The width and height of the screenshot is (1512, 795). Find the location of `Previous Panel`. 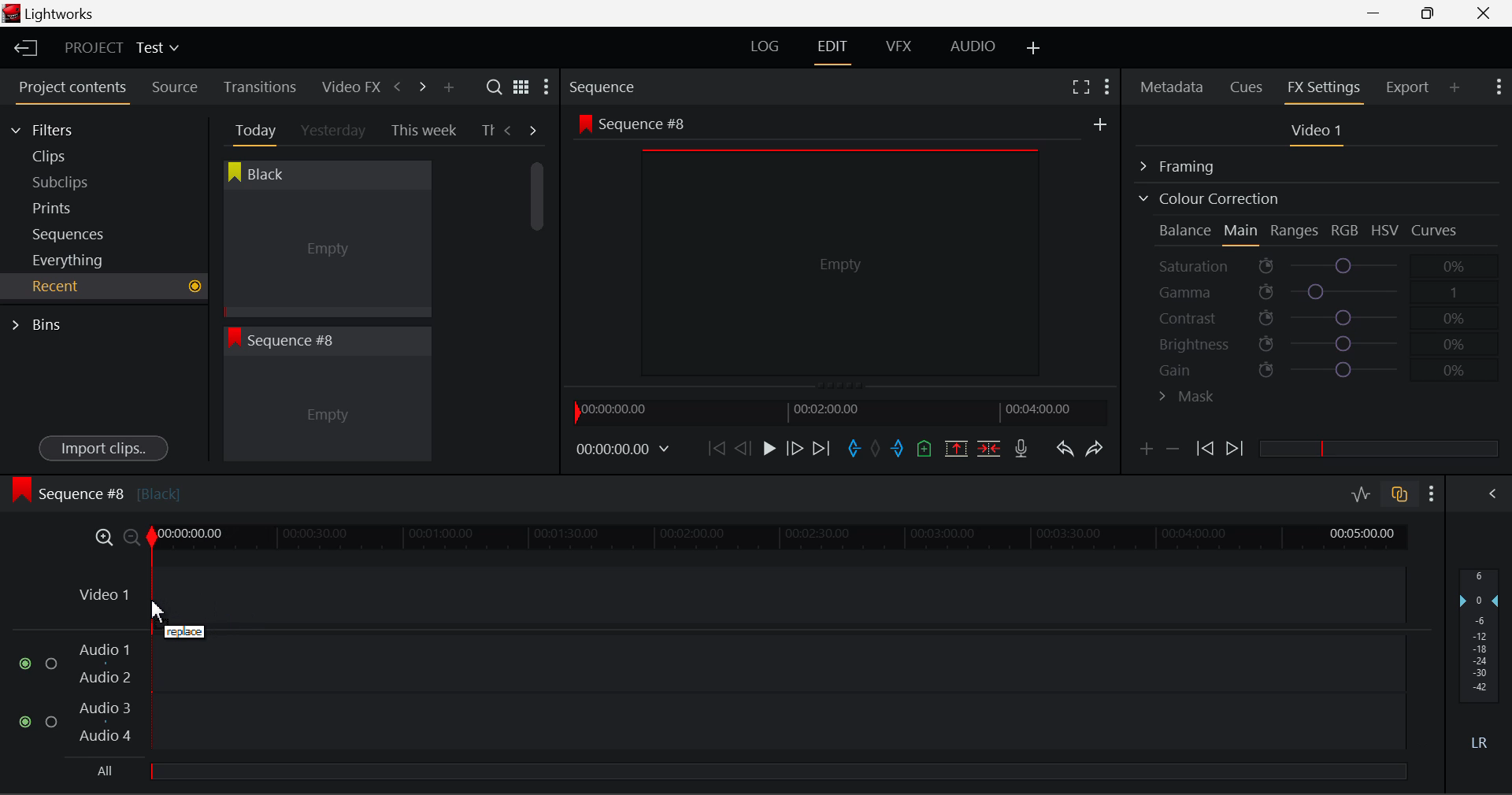

Previous Panel is located at coordinates (397, 87).